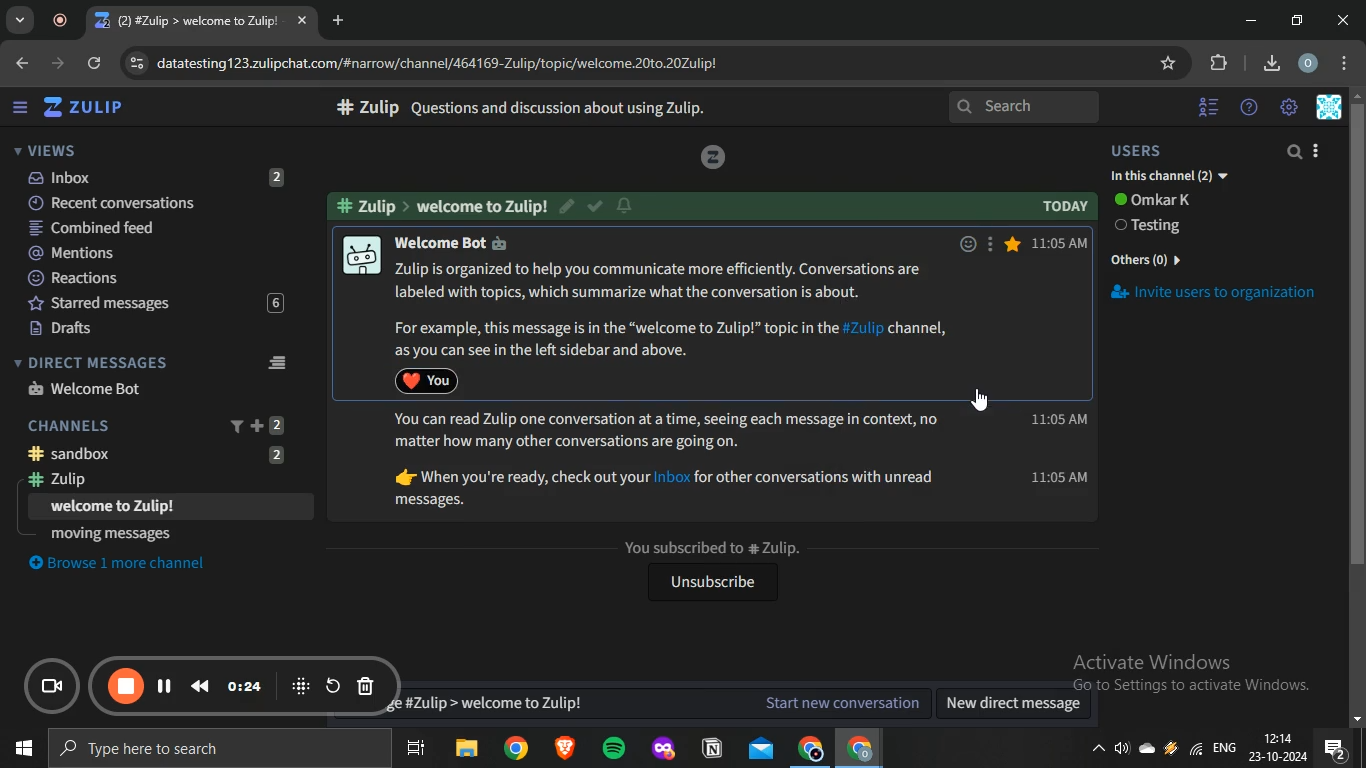 The height and width of the screenshot is (768, 1366). Describe the element at coordinates (709, 584) in the screenshot. I see `unsubscribe` at that location.